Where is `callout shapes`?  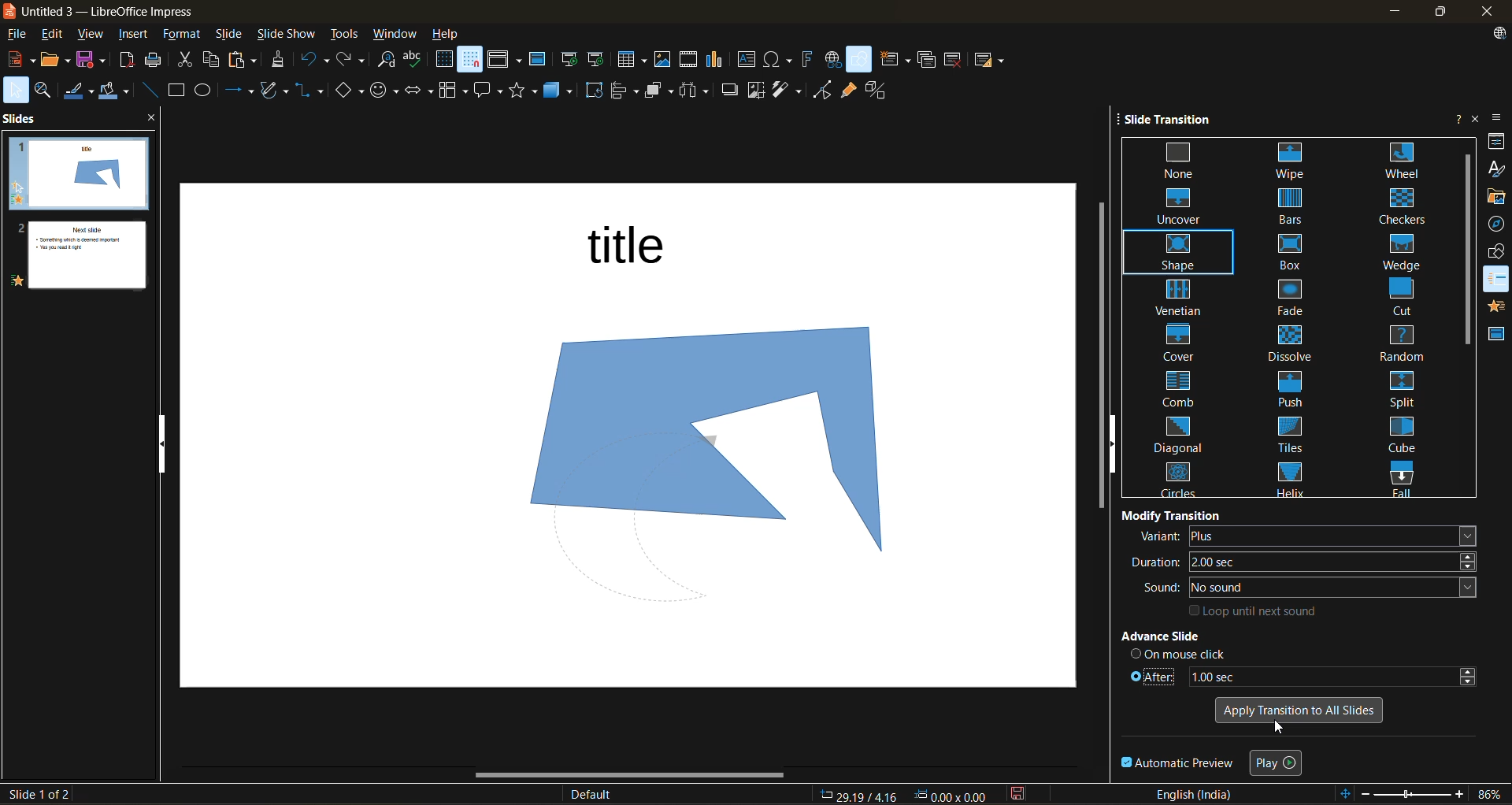
callout shapes is located at coordinates (491, 91).